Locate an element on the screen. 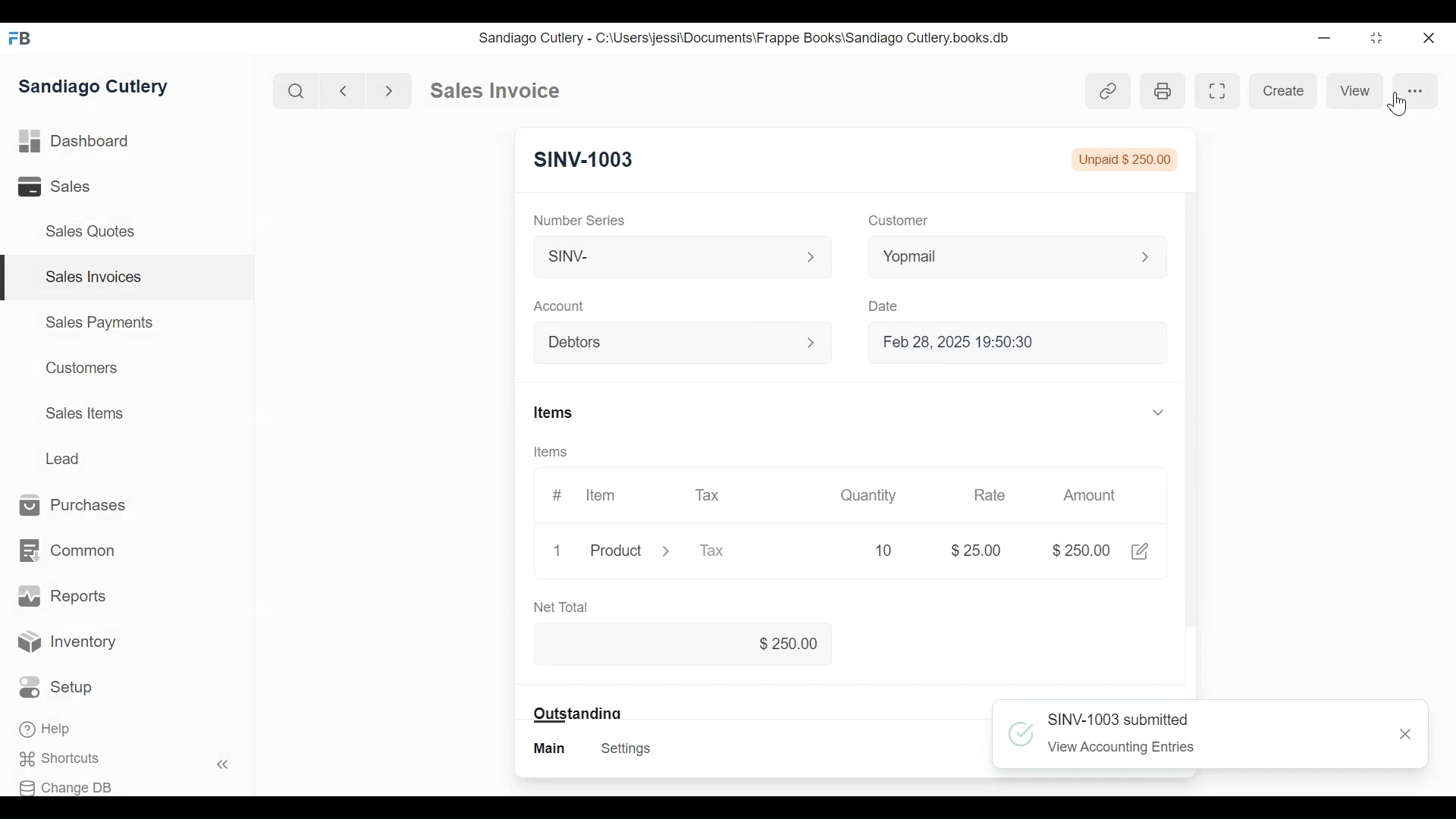  Reports is located at coordinates (62, 596).